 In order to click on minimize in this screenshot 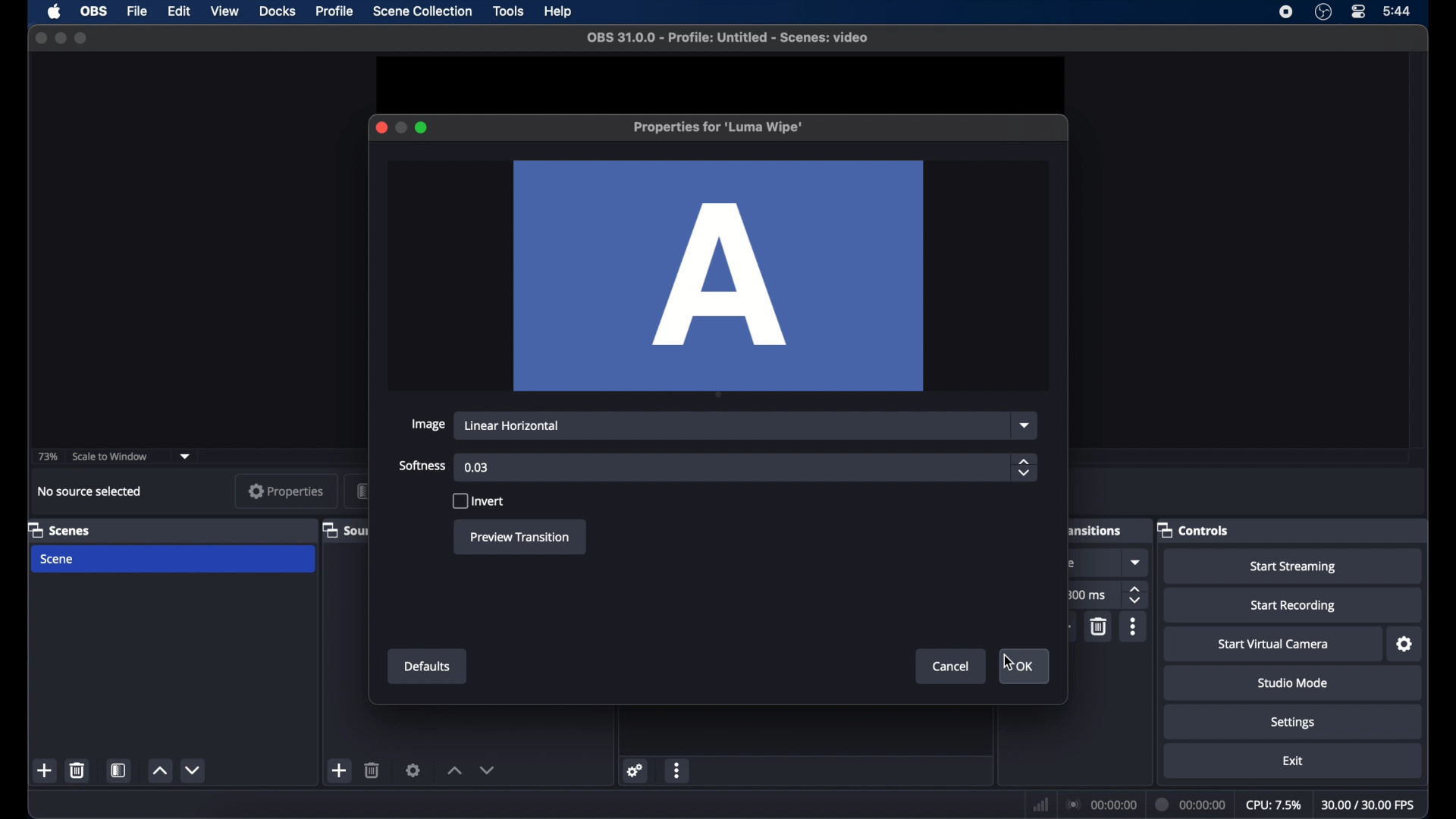, I will do `click(61, 38)`.